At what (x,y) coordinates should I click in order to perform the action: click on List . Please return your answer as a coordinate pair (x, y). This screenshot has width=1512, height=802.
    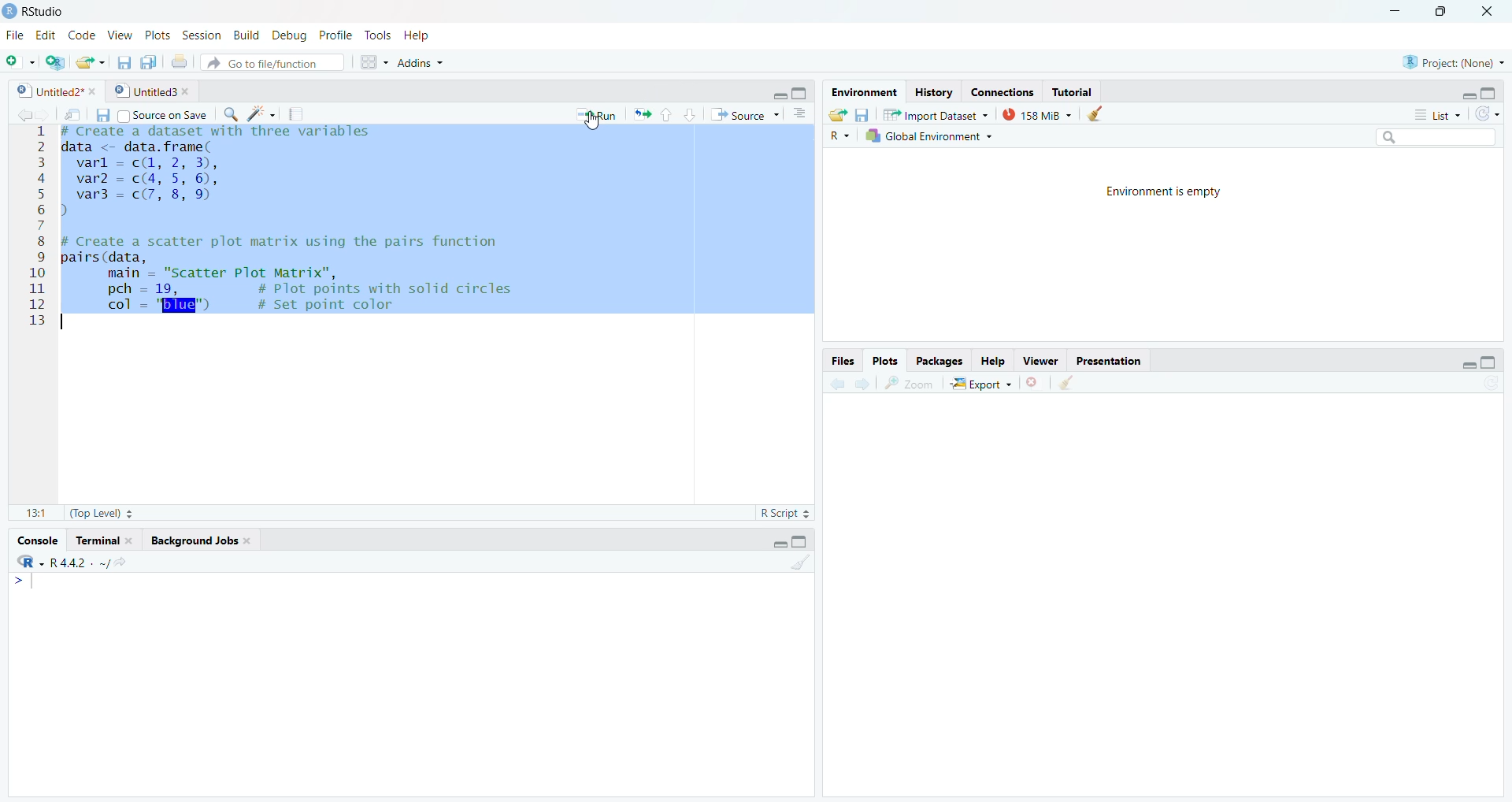
    Looking at the image, I should click on (1432, 113).